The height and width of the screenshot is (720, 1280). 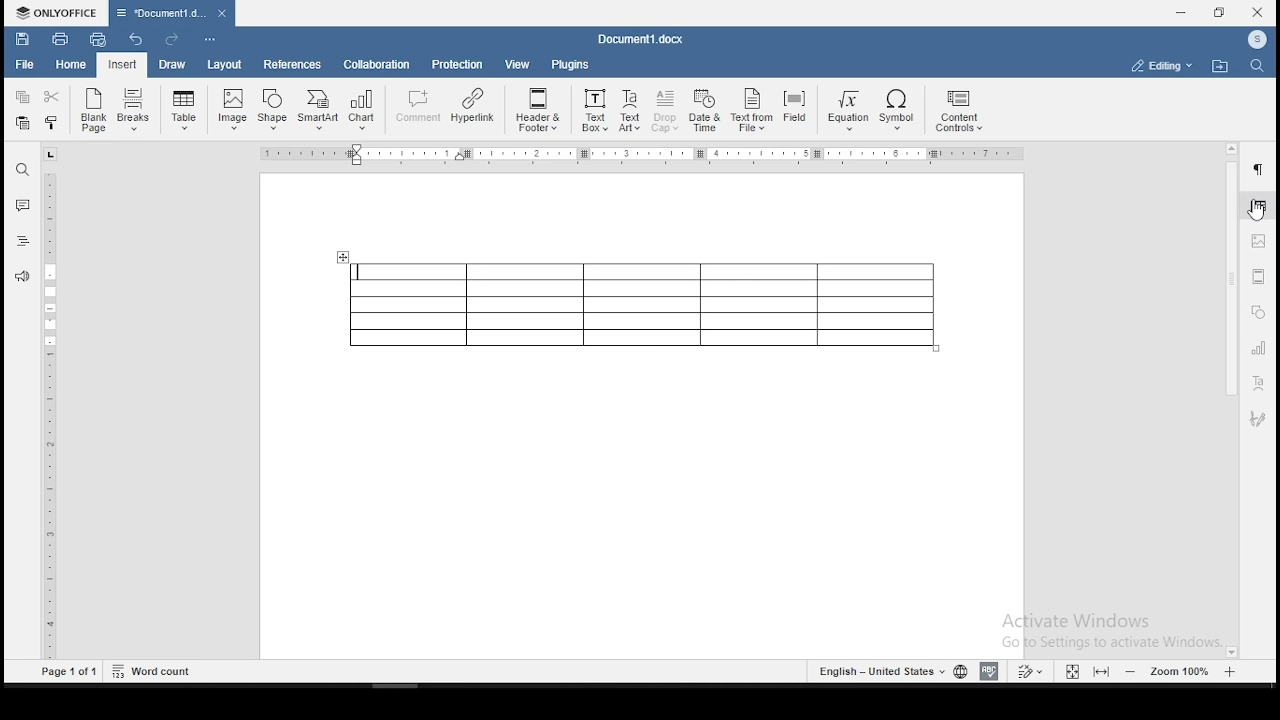 I want to click on comment, so click(x=22, y=203).